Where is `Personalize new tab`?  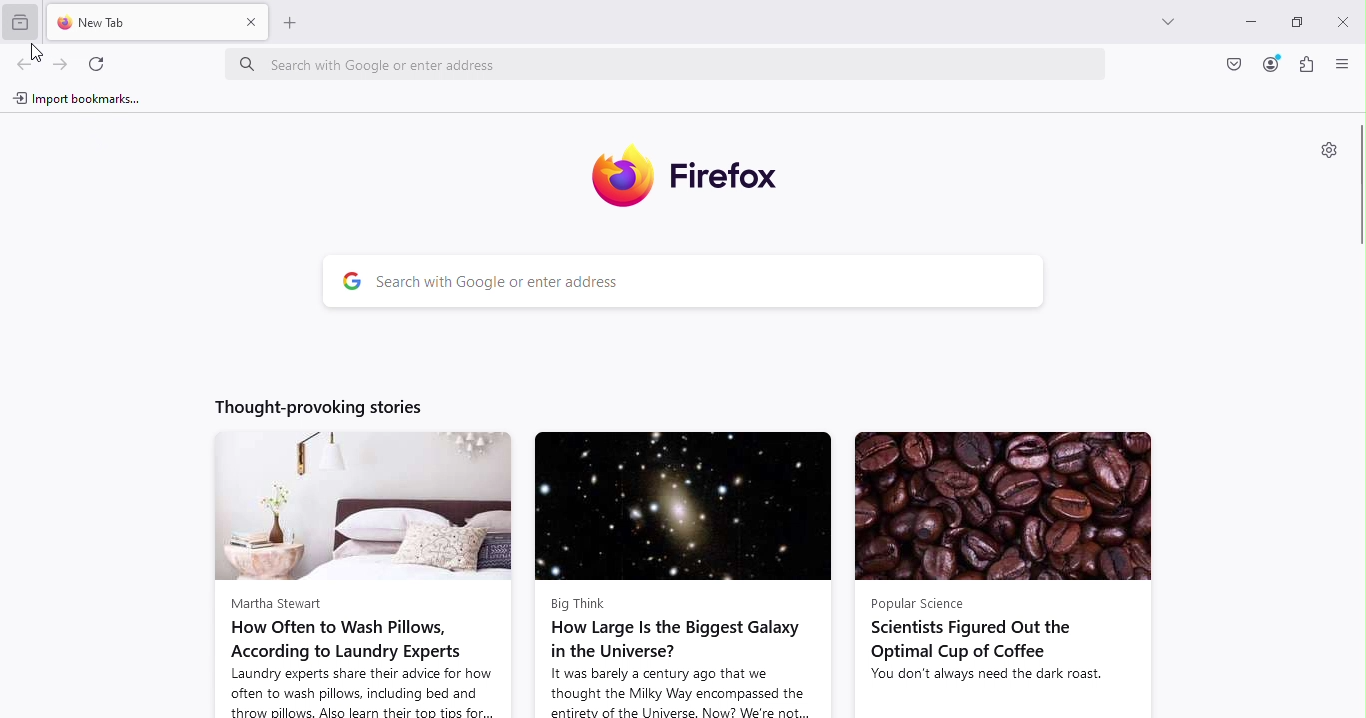
Personalize new tab is located at coordinates (1328, 151).